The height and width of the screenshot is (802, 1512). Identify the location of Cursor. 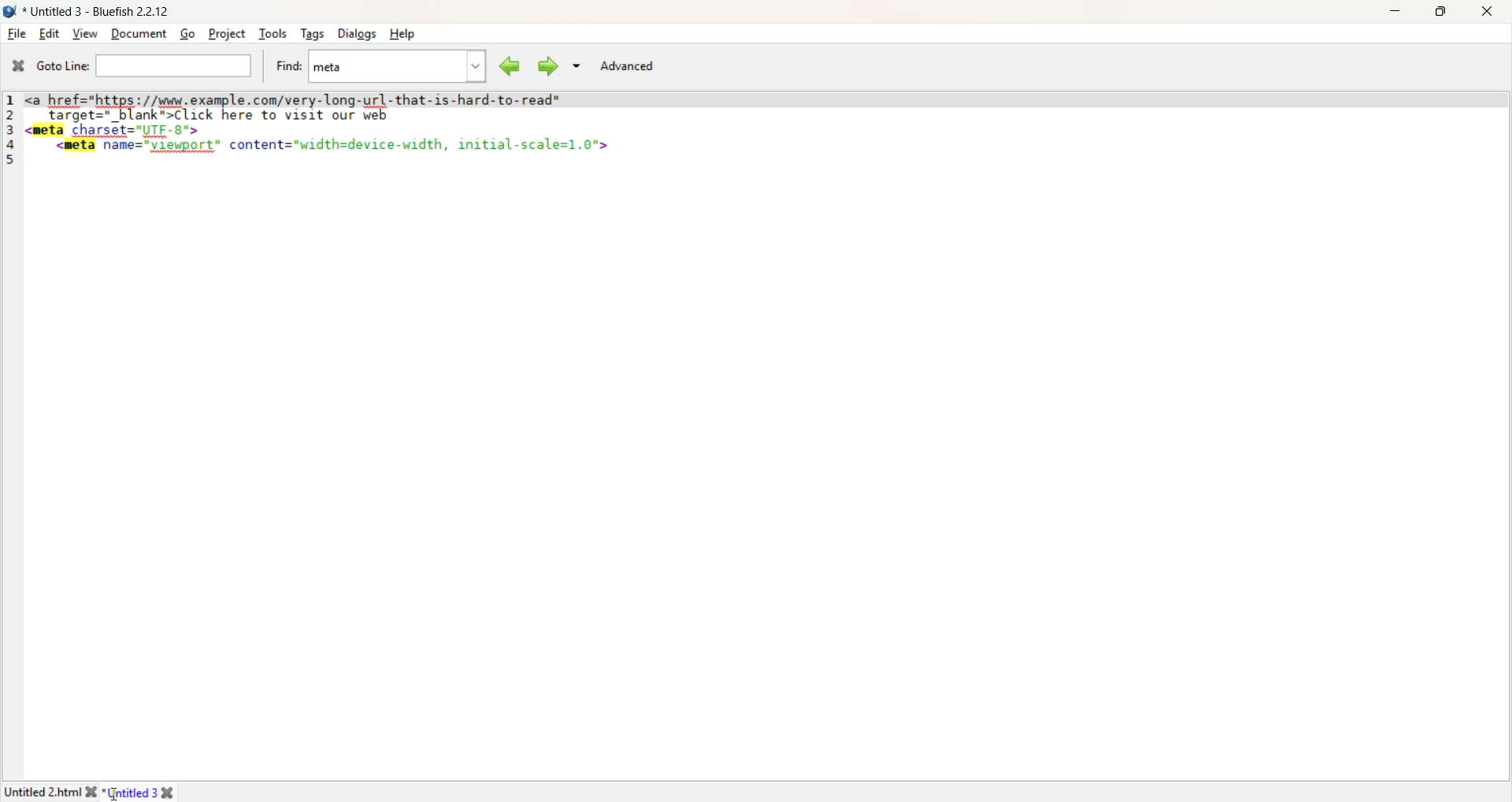
(116, 793).